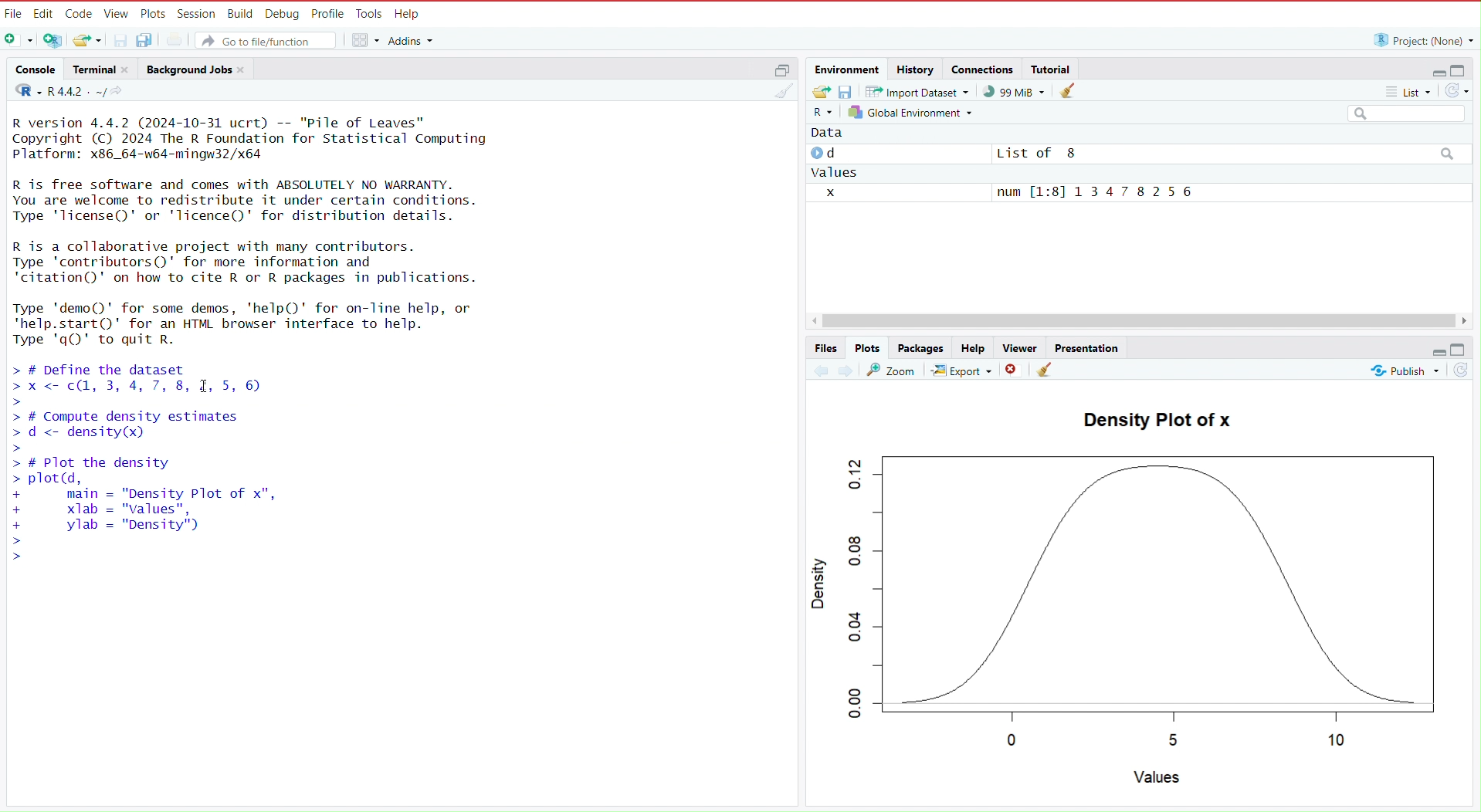  I want to click on go to file/function, so click(268, 40).